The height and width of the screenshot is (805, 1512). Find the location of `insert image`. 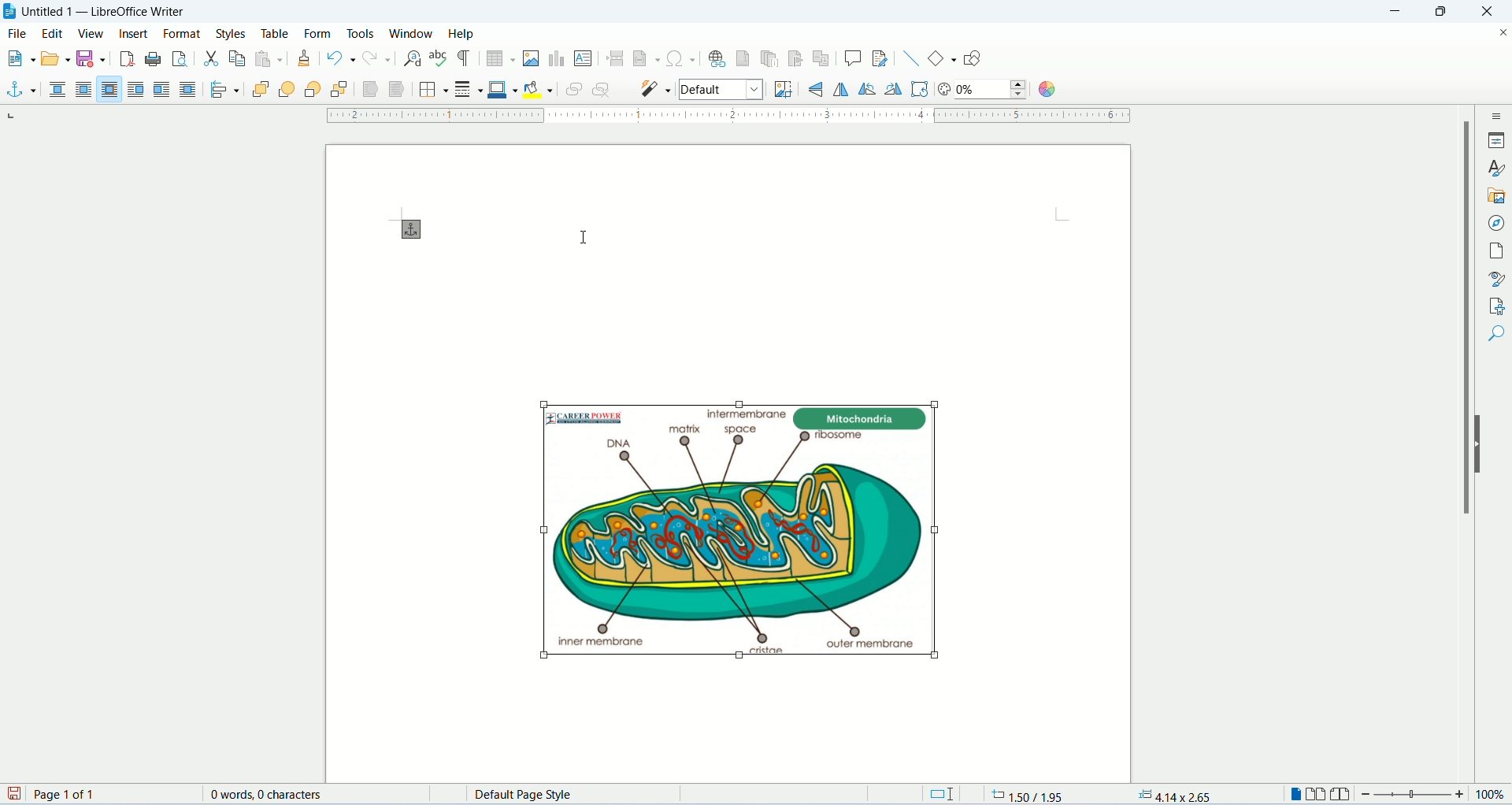

insert image is located at coordinates (532, 58).